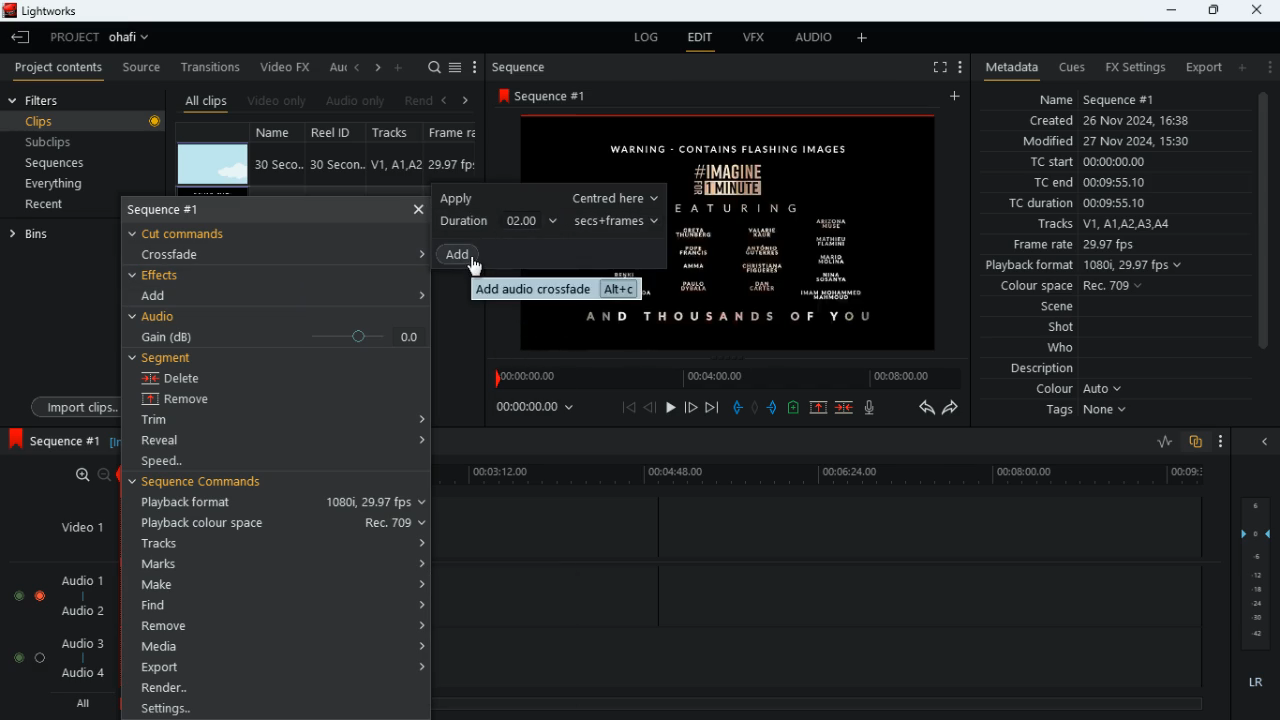  What do you see at coordinates (422, 293) in the screenshot?
I see `Accordion` at bounding box center [422, 293].